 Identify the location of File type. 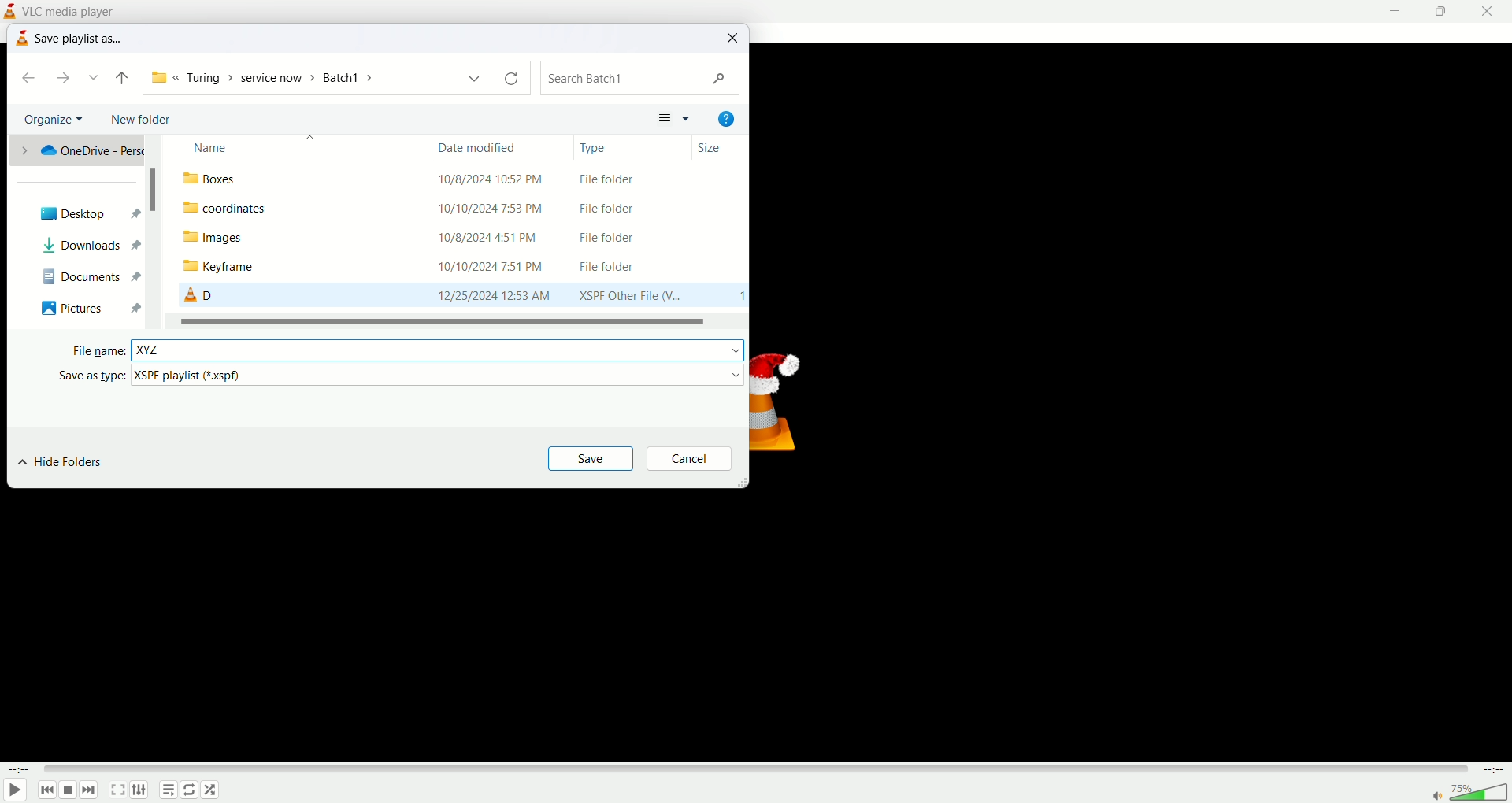
(627, 238).